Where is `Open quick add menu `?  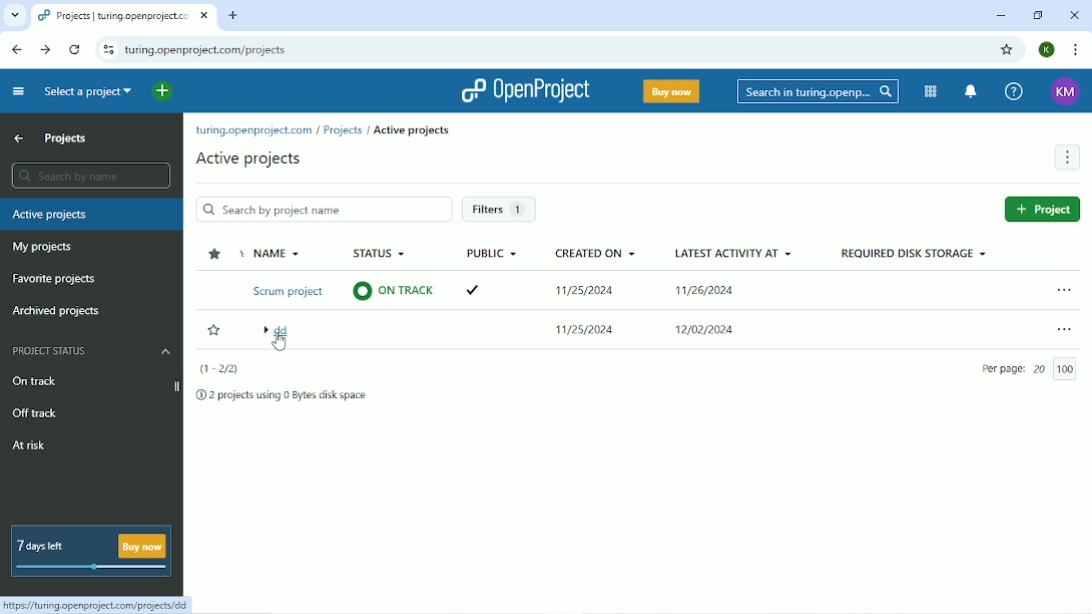 Open quick add menu  is located at coordinates (161, 90).